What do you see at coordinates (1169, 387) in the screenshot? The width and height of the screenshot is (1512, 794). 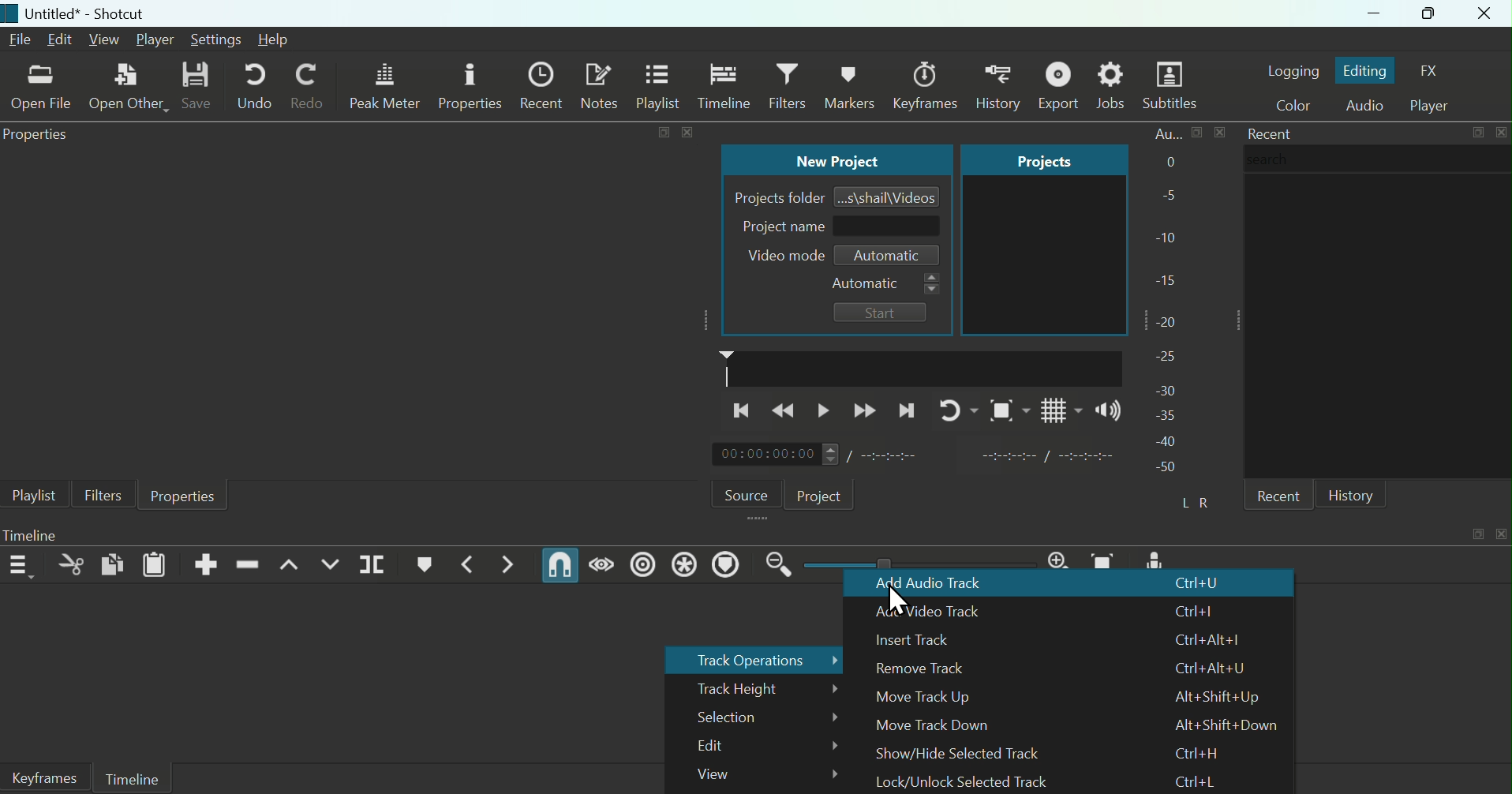 I see `-30` at bounding box center [1169, 387].